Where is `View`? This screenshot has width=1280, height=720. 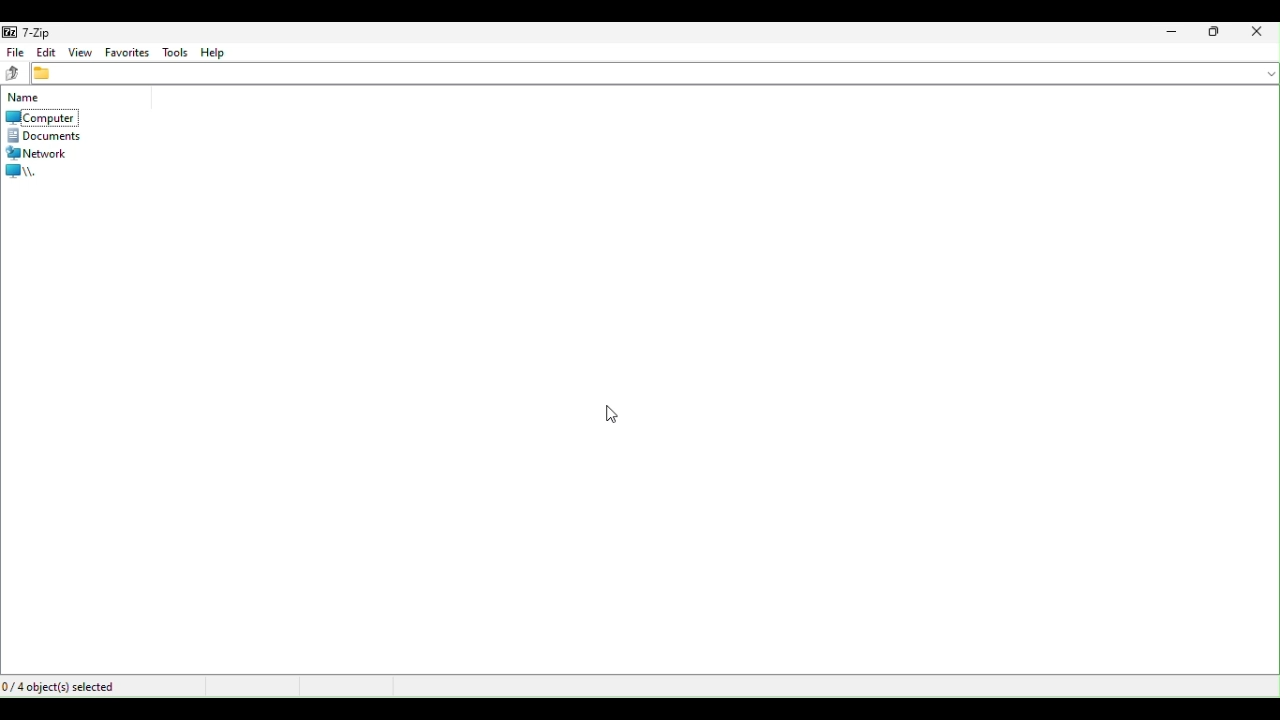 View is located at coordinates (80, 52).